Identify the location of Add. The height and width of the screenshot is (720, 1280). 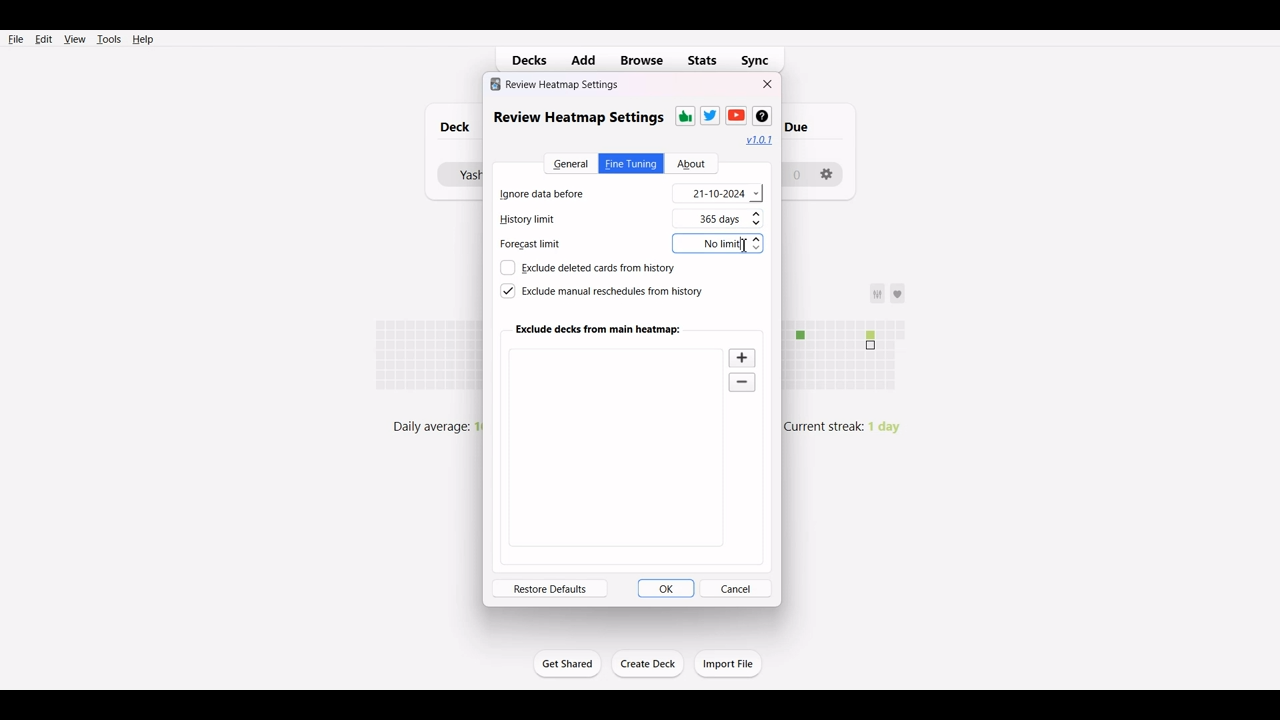
(587, 59).